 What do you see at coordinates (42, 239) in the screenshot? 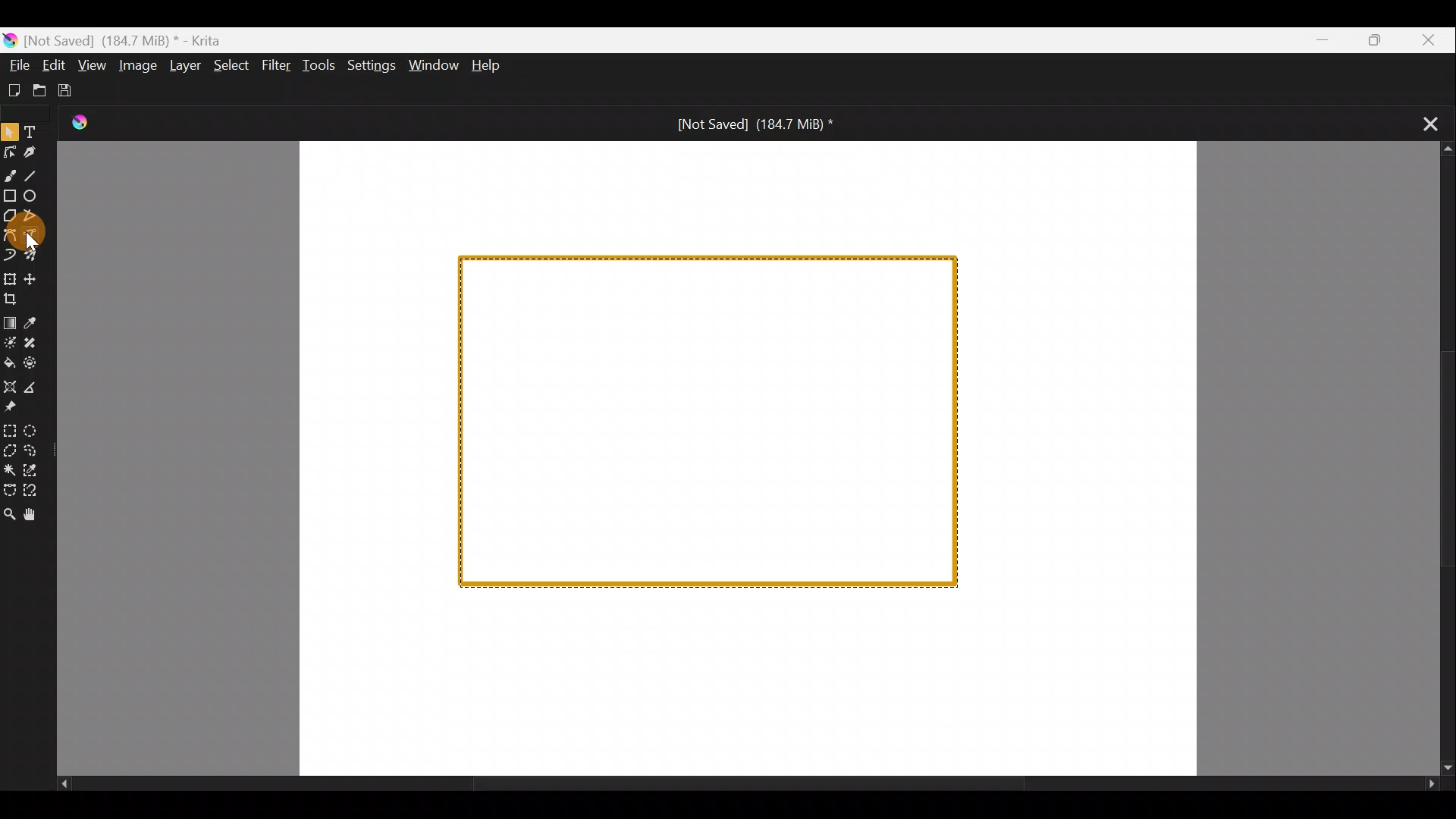
I see `Freehand path tool` at bounding box center [42, 239].